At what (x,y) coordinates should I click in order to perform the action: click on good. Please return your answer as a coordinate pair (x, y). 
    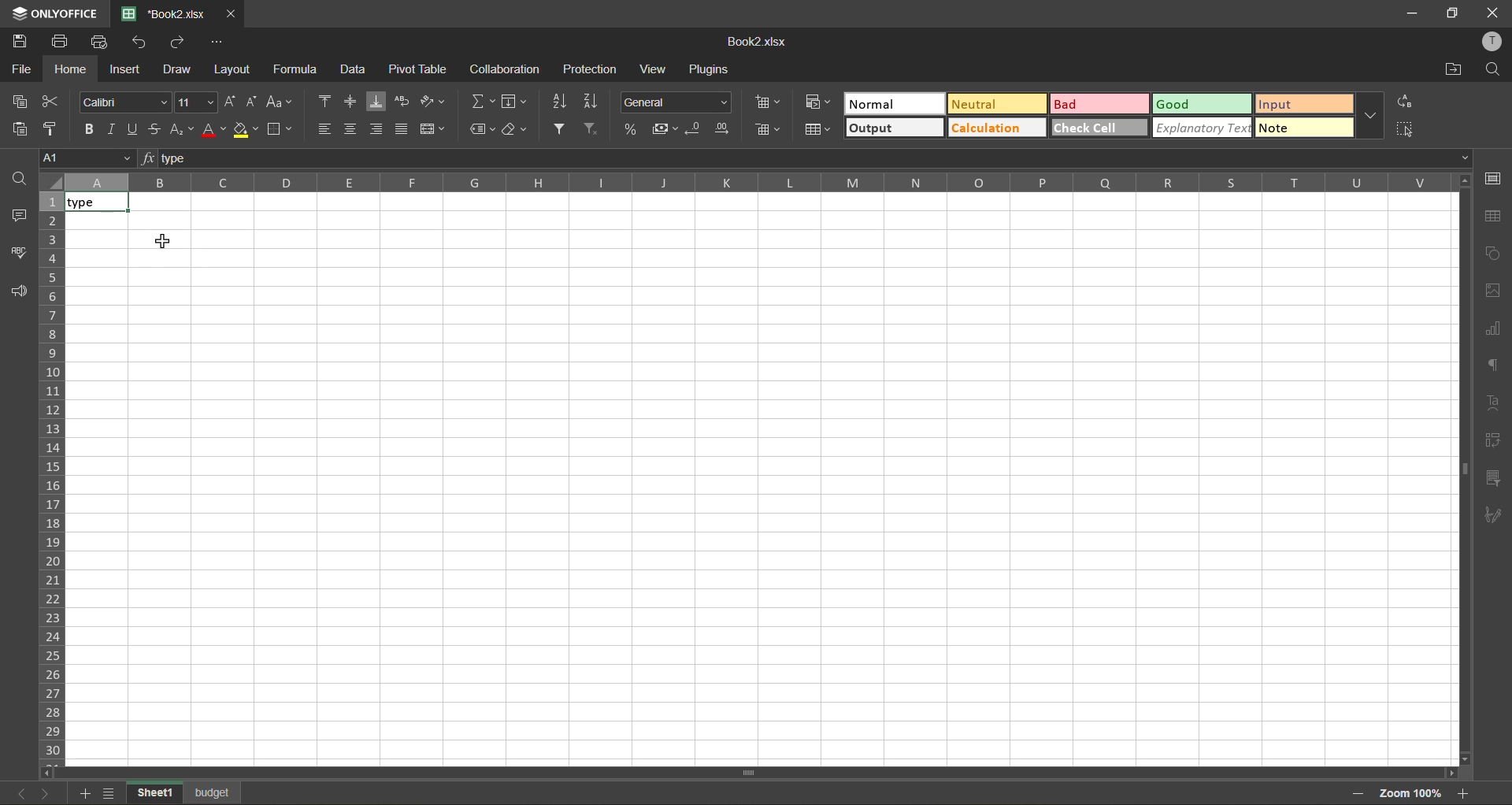
    Looking at the image, I should click on (1202, 103).